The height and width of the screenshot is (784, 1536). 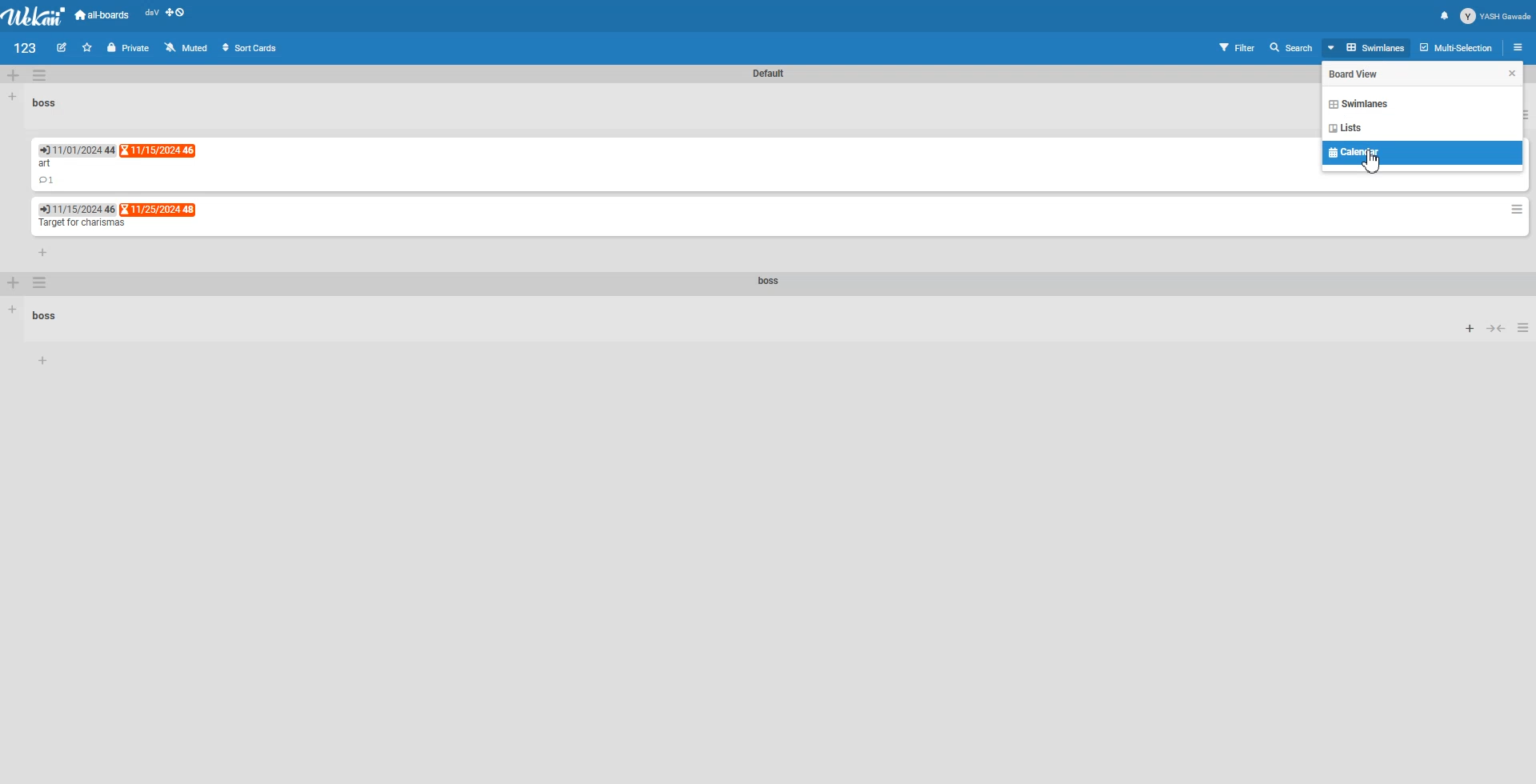 What do you see at coordinates (45, 165) in the screenshot?
I see `Text` at bounding box center [45, 165].